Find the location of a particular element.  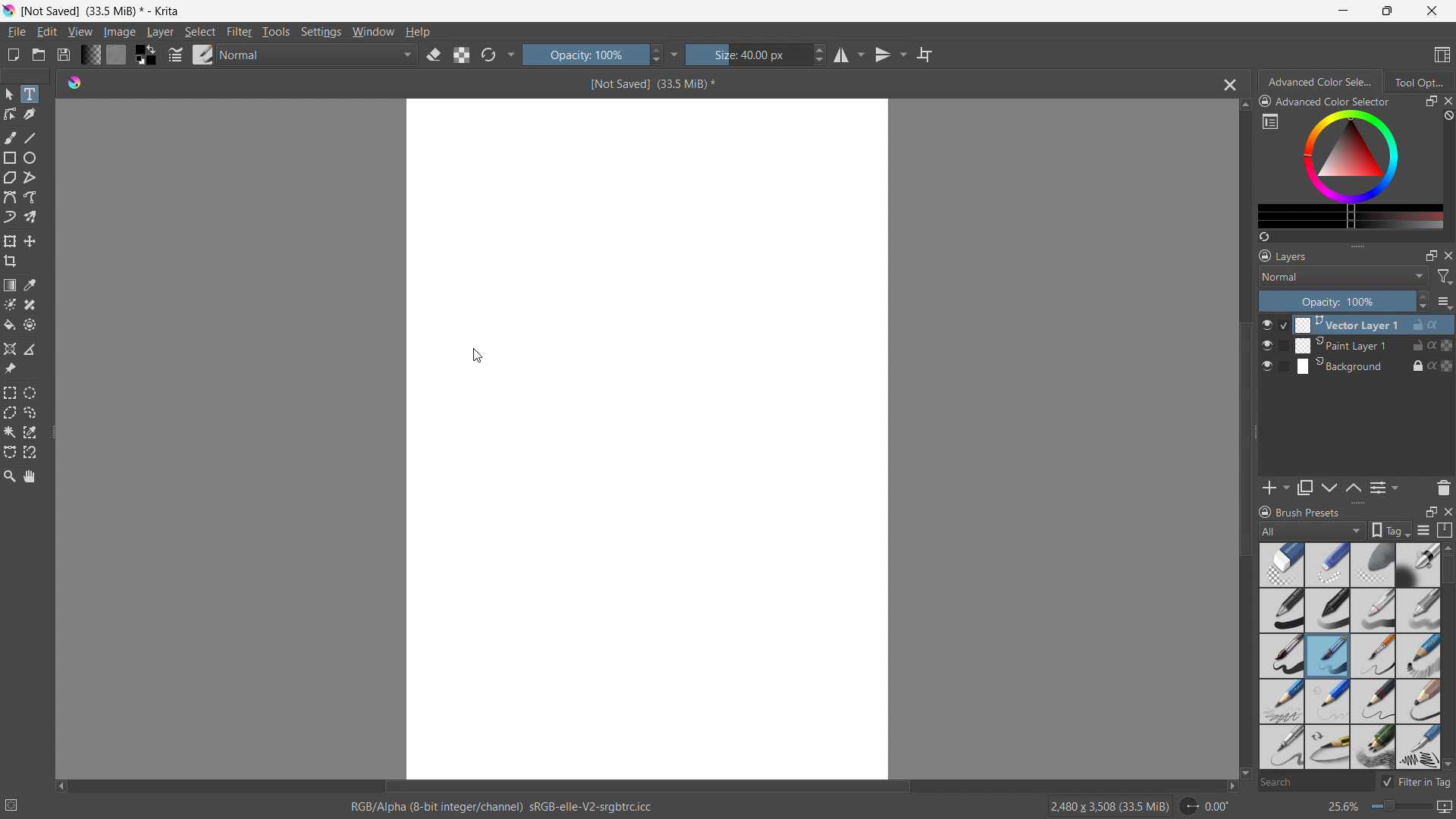

Brush is located at coordinates (1282, 654).